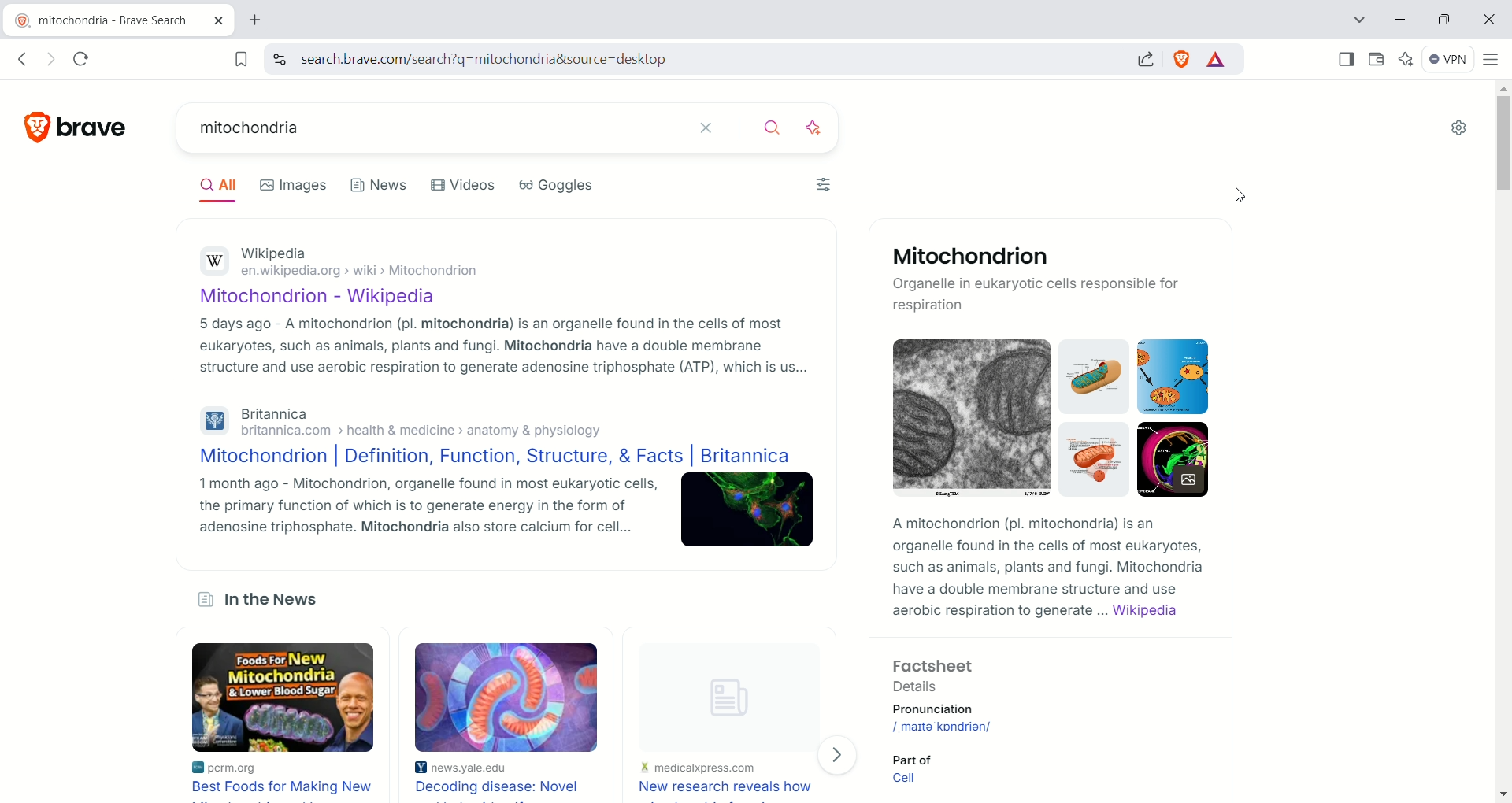  Describe the element at coordinates (421, 512) in the screenshot. I see `1 month ago - Mitochondrion, organelle found in most eukaryotic cells, the primary function of which is to generate energy in the form of adenosine triphosphate. Mitochondria also store calcium for cell...` at that location.